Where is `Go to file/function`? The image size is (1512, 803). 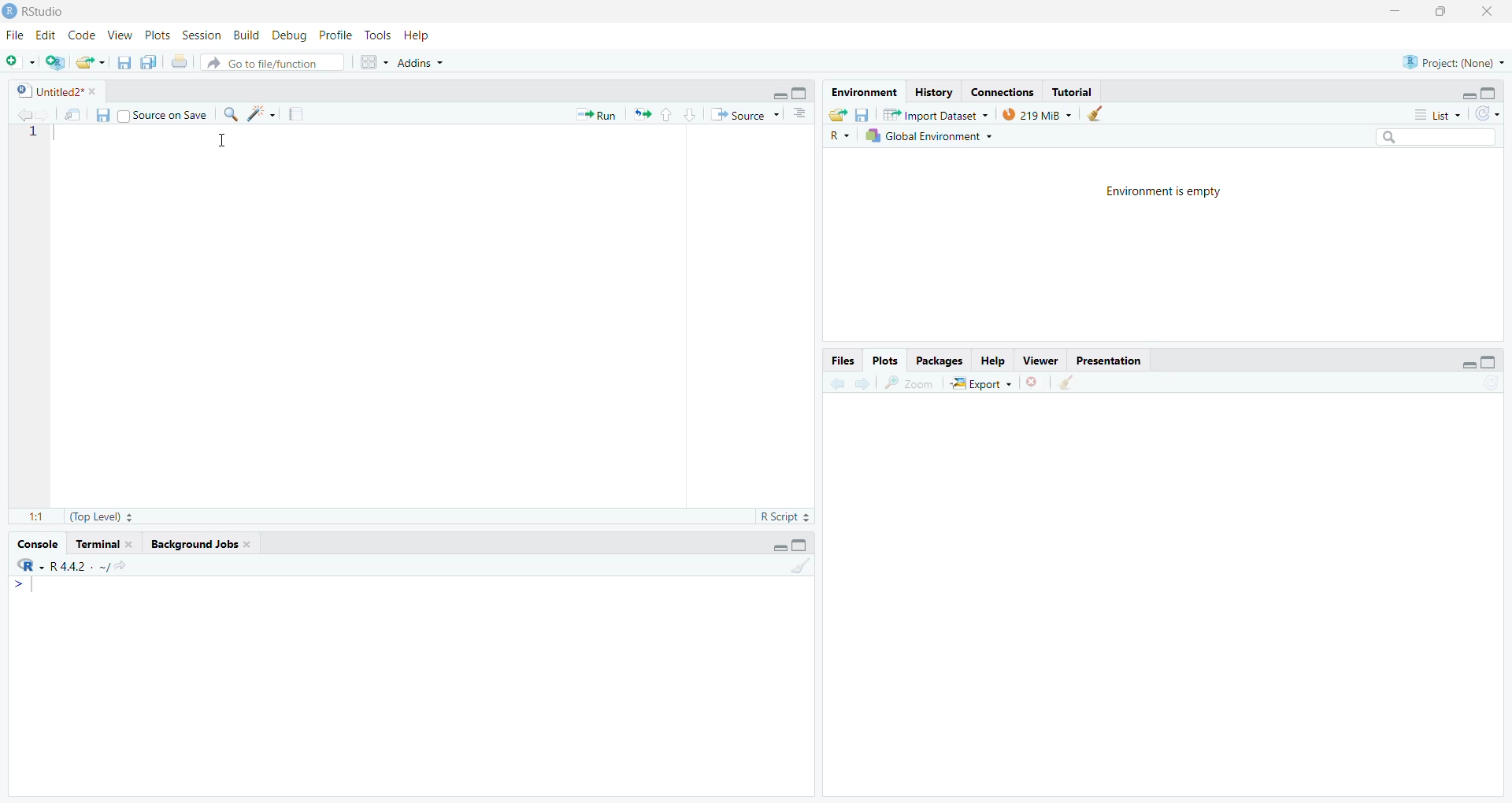 Go to file/function is located at coordinates (272, 62).